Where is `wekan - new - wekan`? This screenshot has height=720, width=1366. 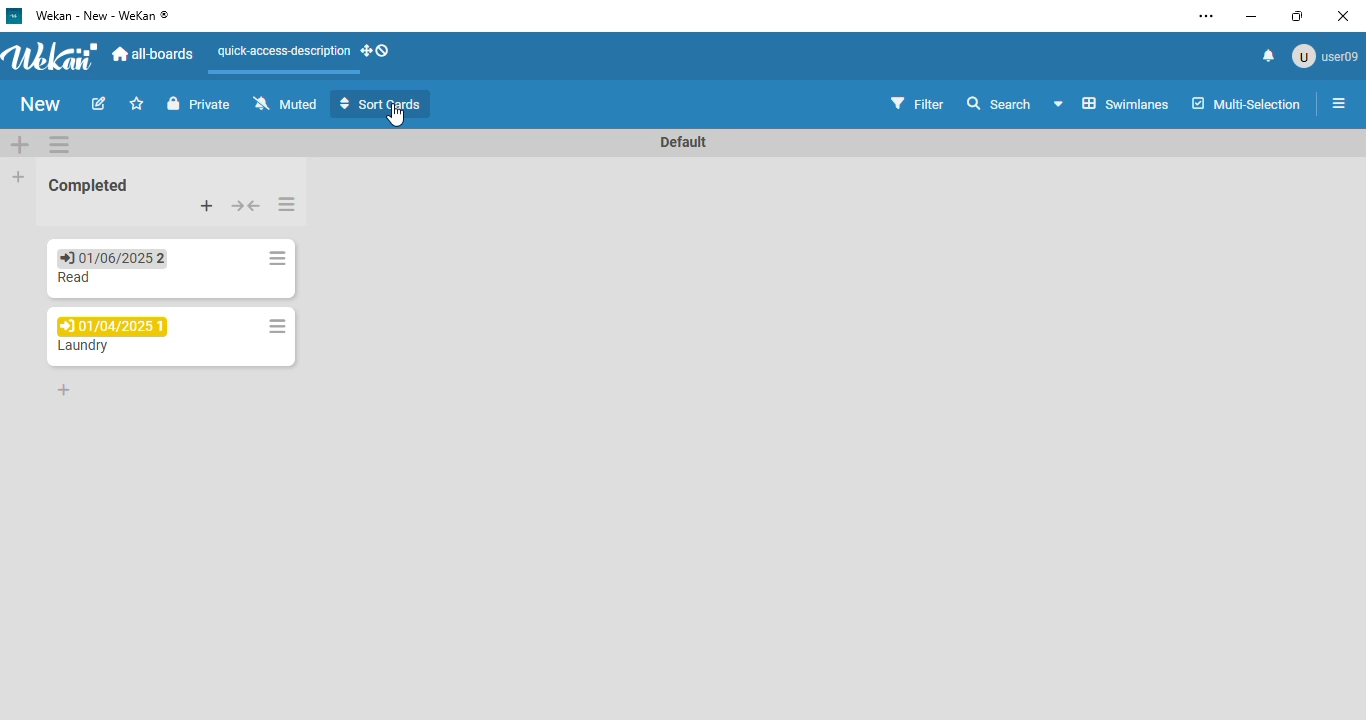 wekan - new - wekan is located at coordinates (101, 15).